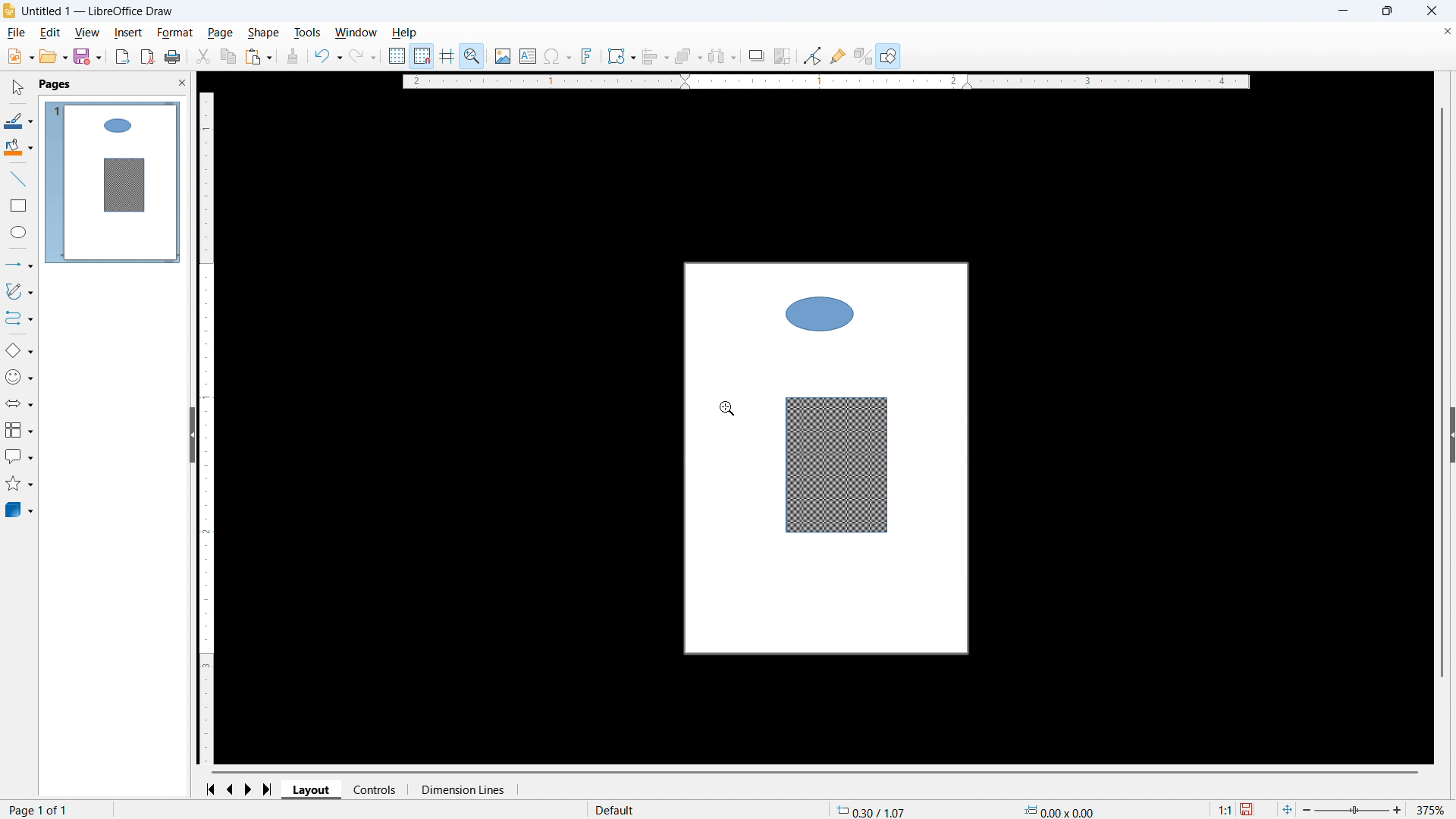  What do you see at coordinates (422, 55) in the screenshot?
I see `Snap to grid ` at bounding box center [422, 55].